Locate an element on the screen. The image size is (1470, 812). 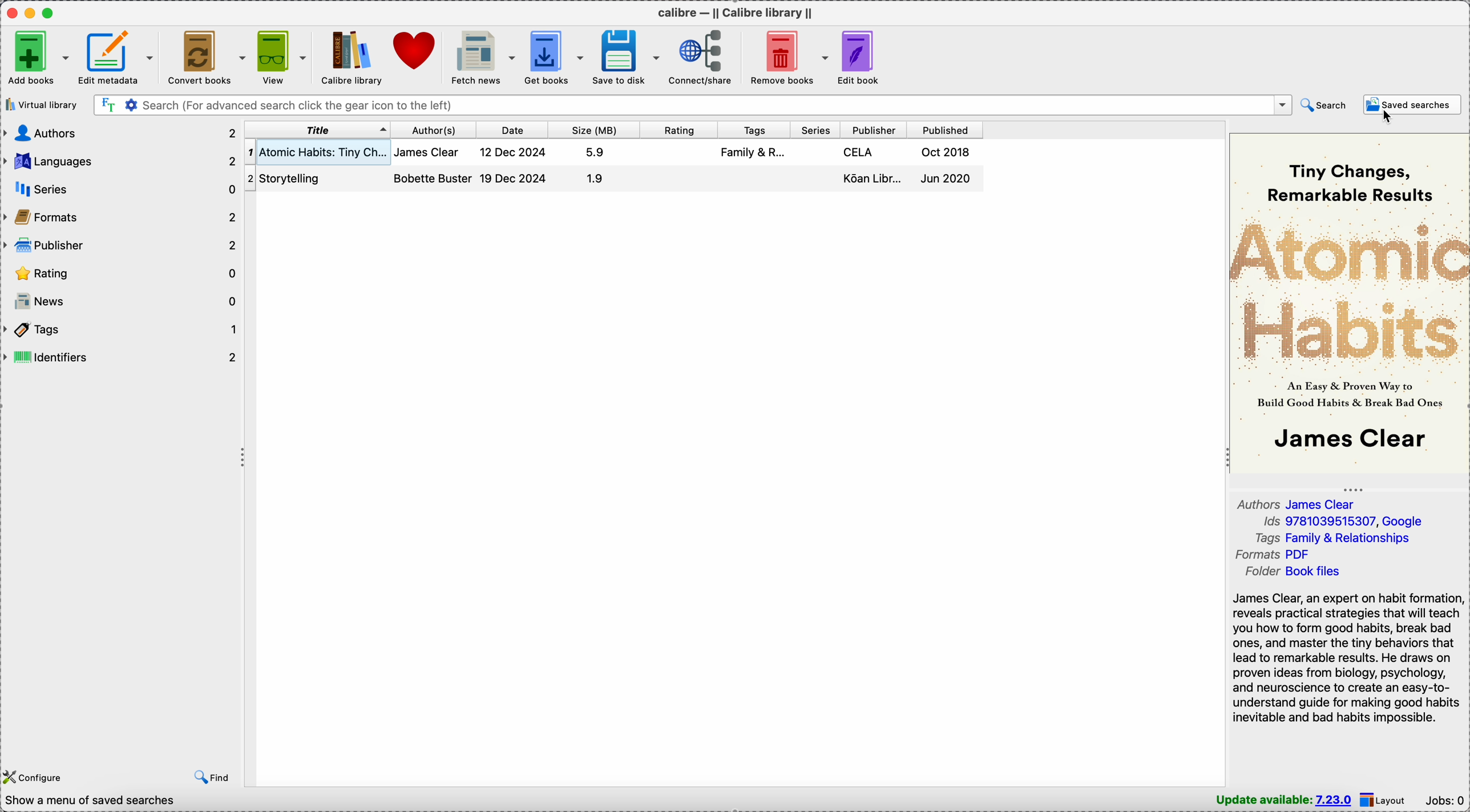
formats: PDF is located at coordinates (1276, 555).